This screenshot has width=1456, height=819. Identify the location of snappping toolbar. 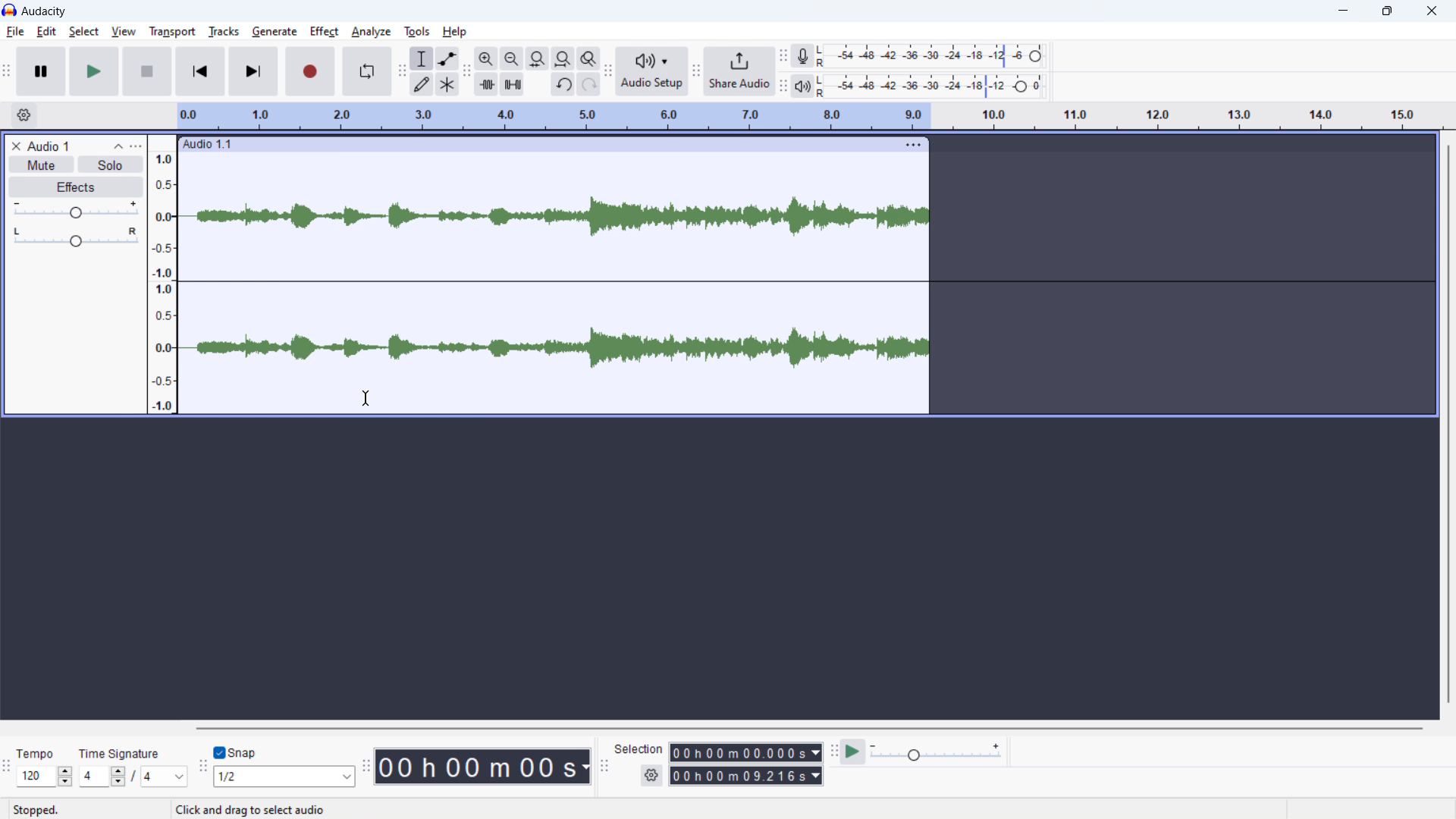
(203, 768).